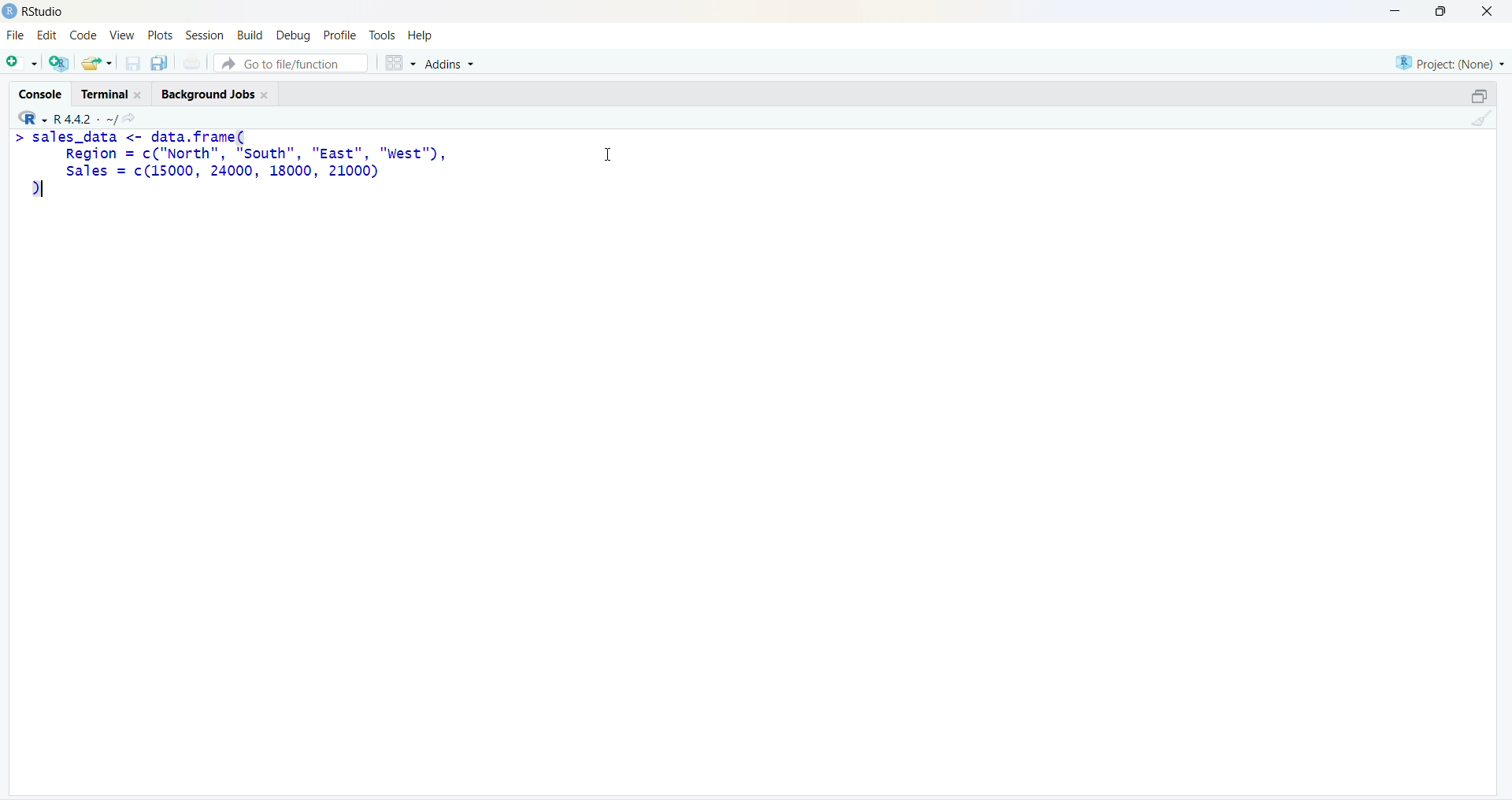 This screenshot has width=1512, height=800. Describe the element at coordinates (132, 67) in the screenshot. I see `save` at that location.